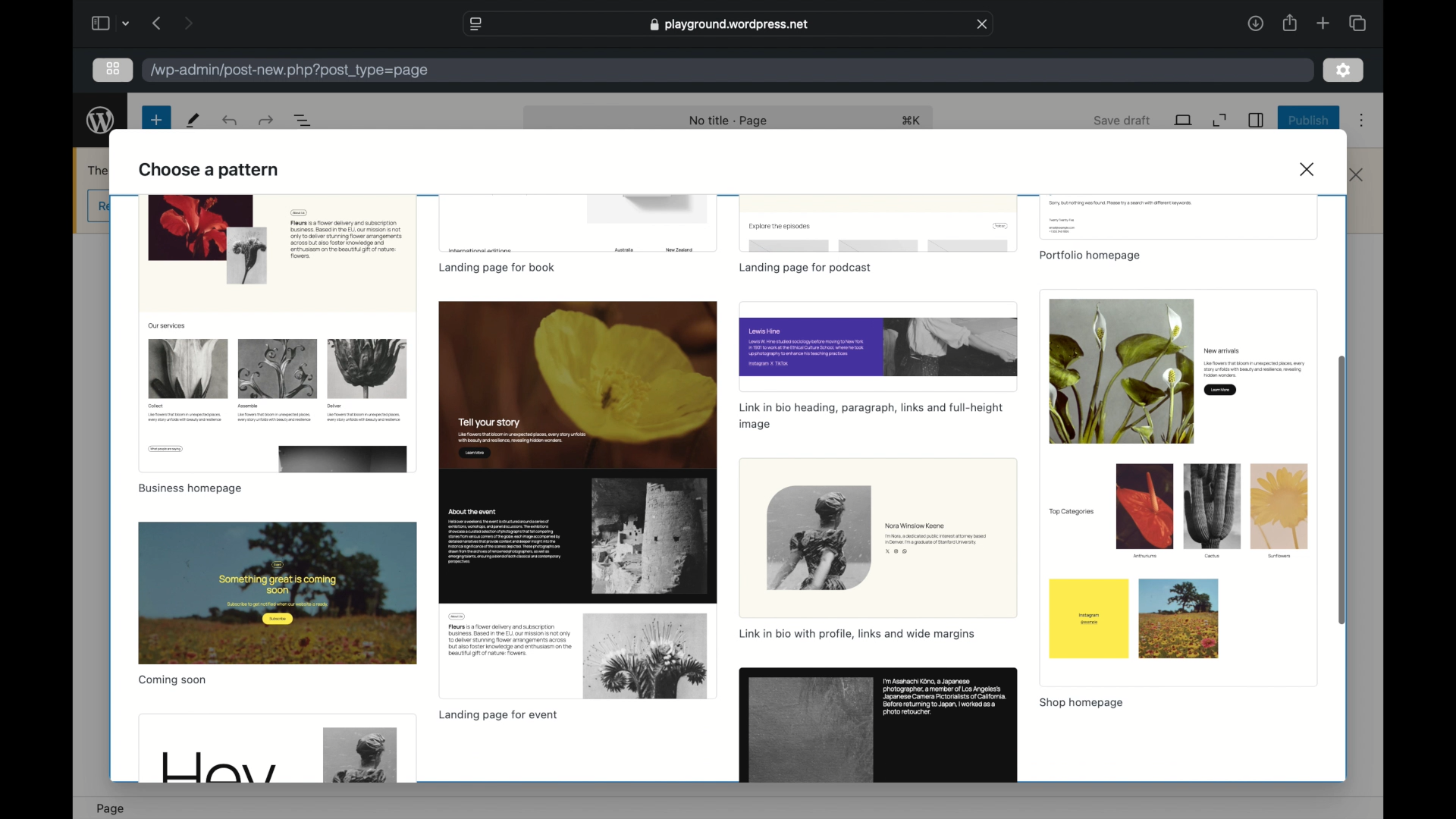  Describe the element at coordinates (99, 207) in the screenshot. I see `obscure button` at that location.